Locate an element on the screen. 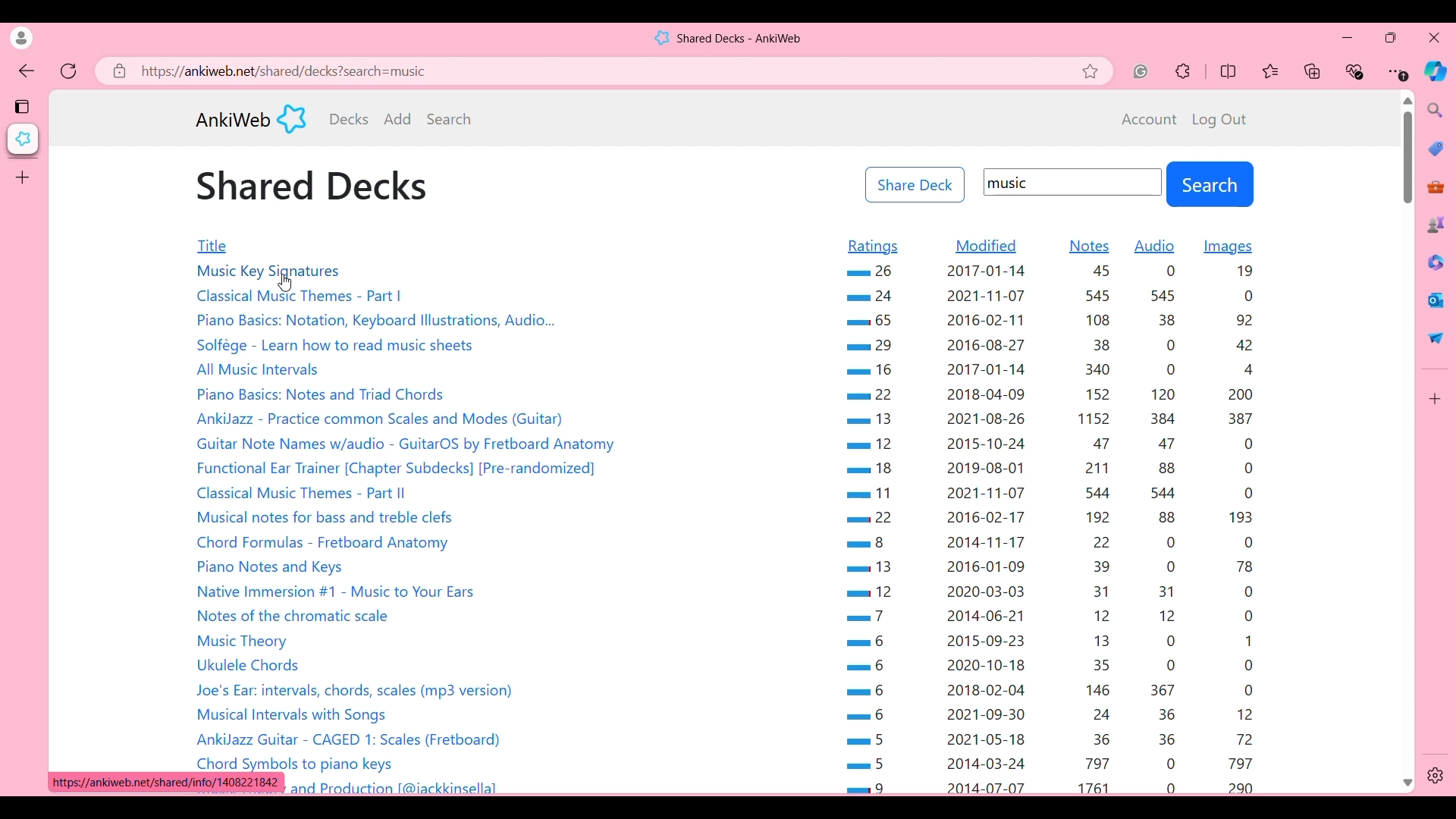 The image size is (1456, 819). Browser essentials is located at coordinates (1356, 71).